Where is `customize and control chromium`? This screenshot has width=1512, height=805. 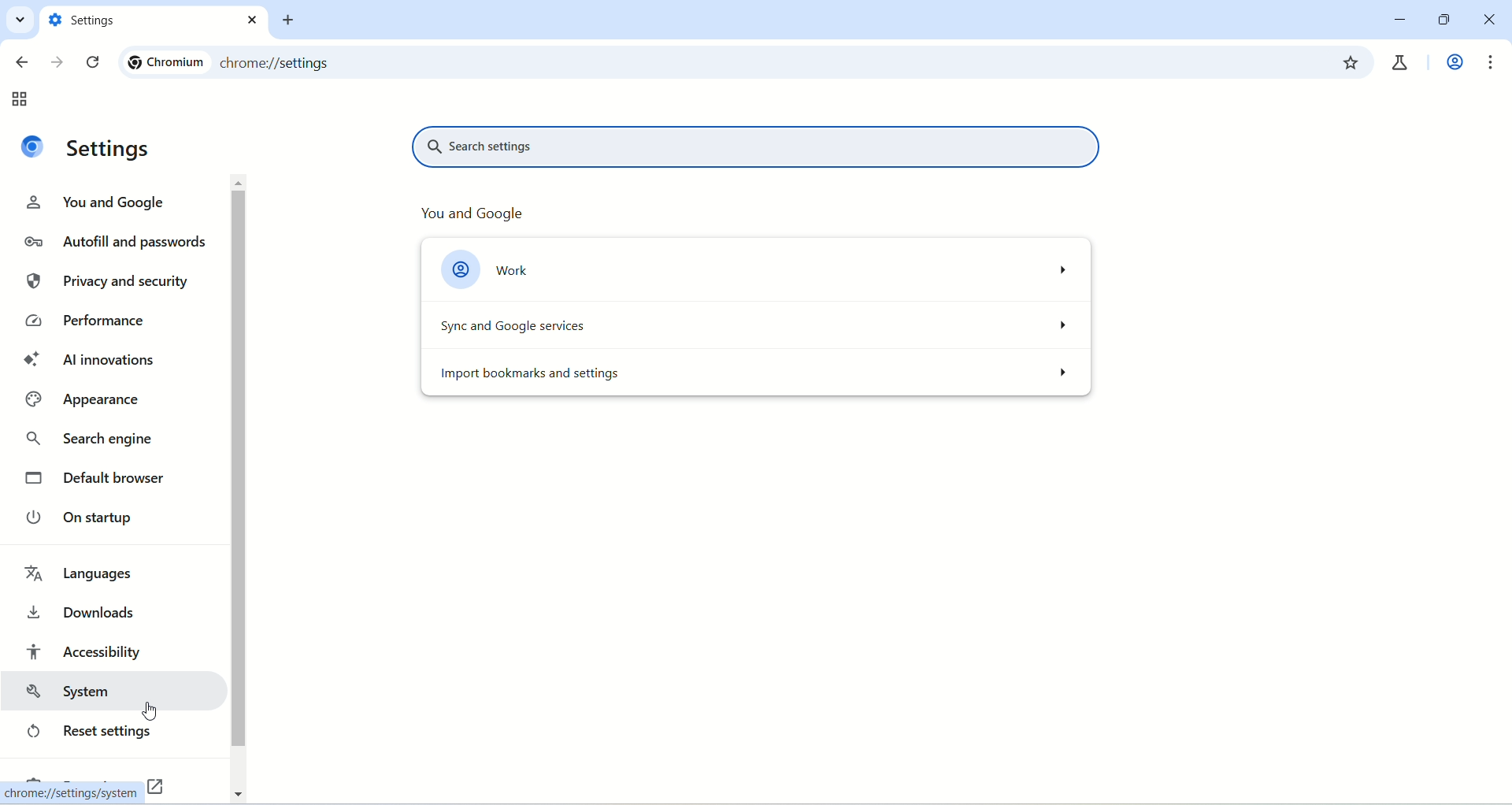
customize and control chromium is located at coordinates (1492, 63).